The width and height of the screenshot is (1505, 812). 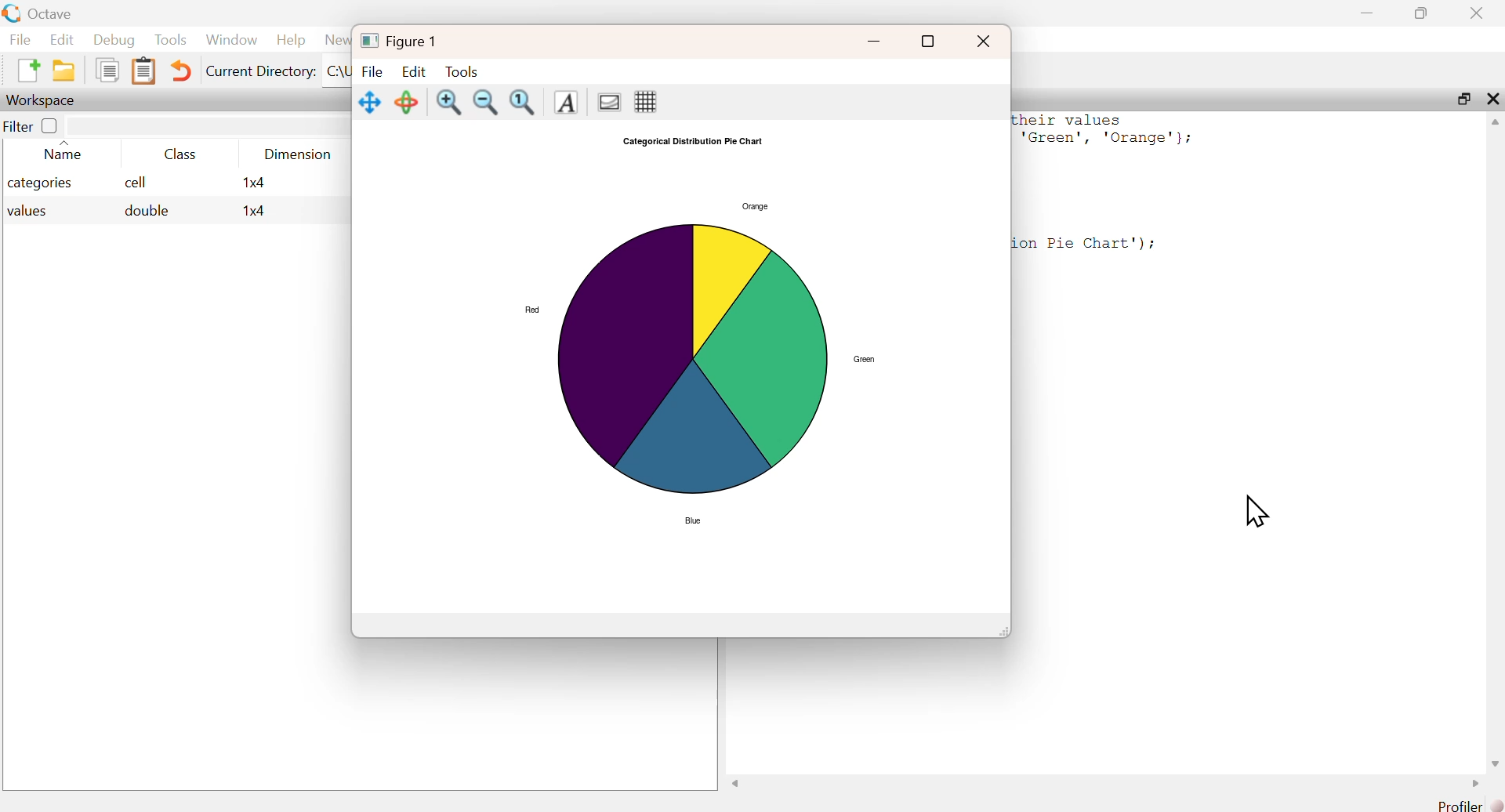 I want to click on cell, so click(x=136, y=181).